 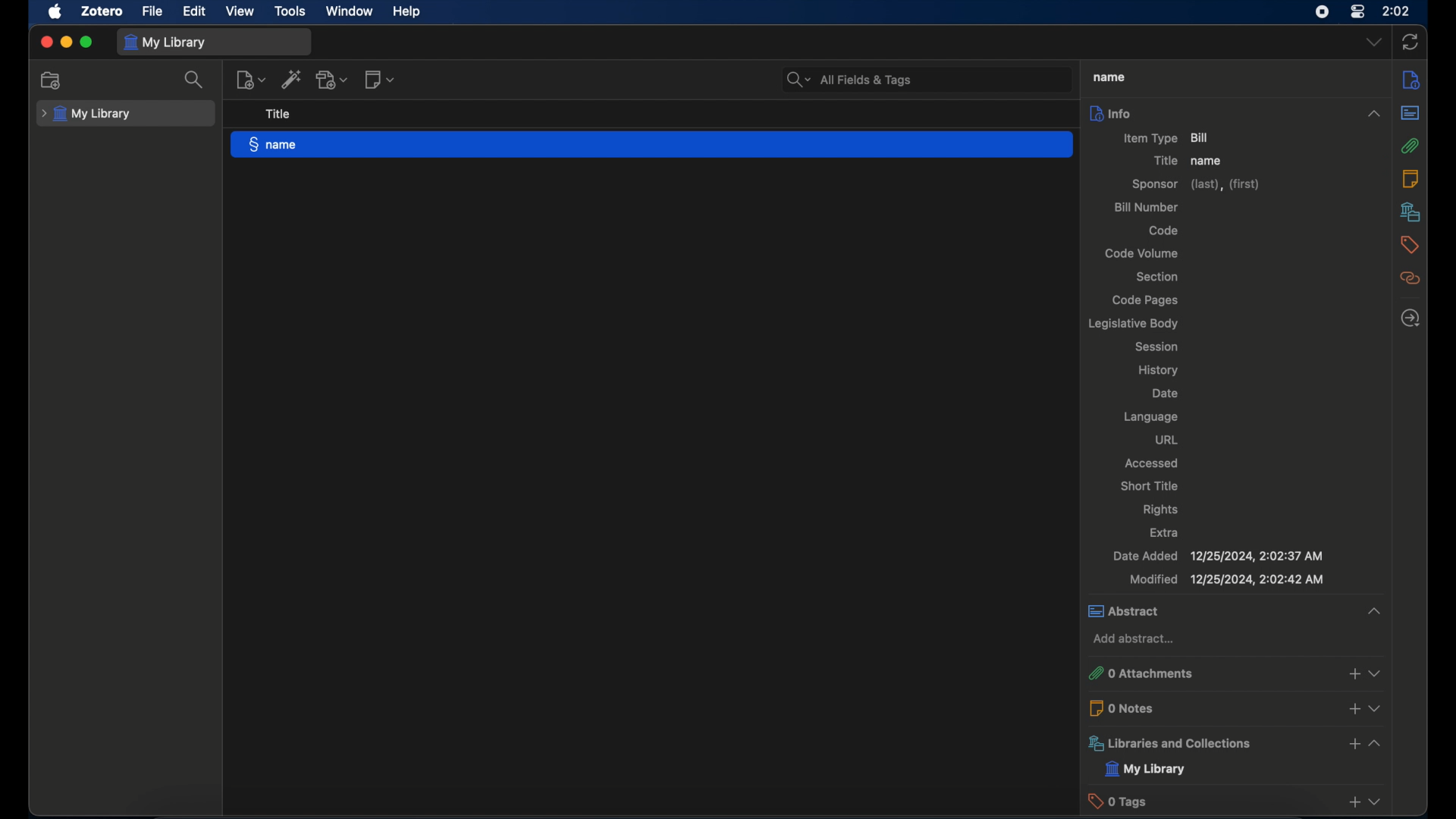 I want to click on short title, so click(x=1150, y=485).